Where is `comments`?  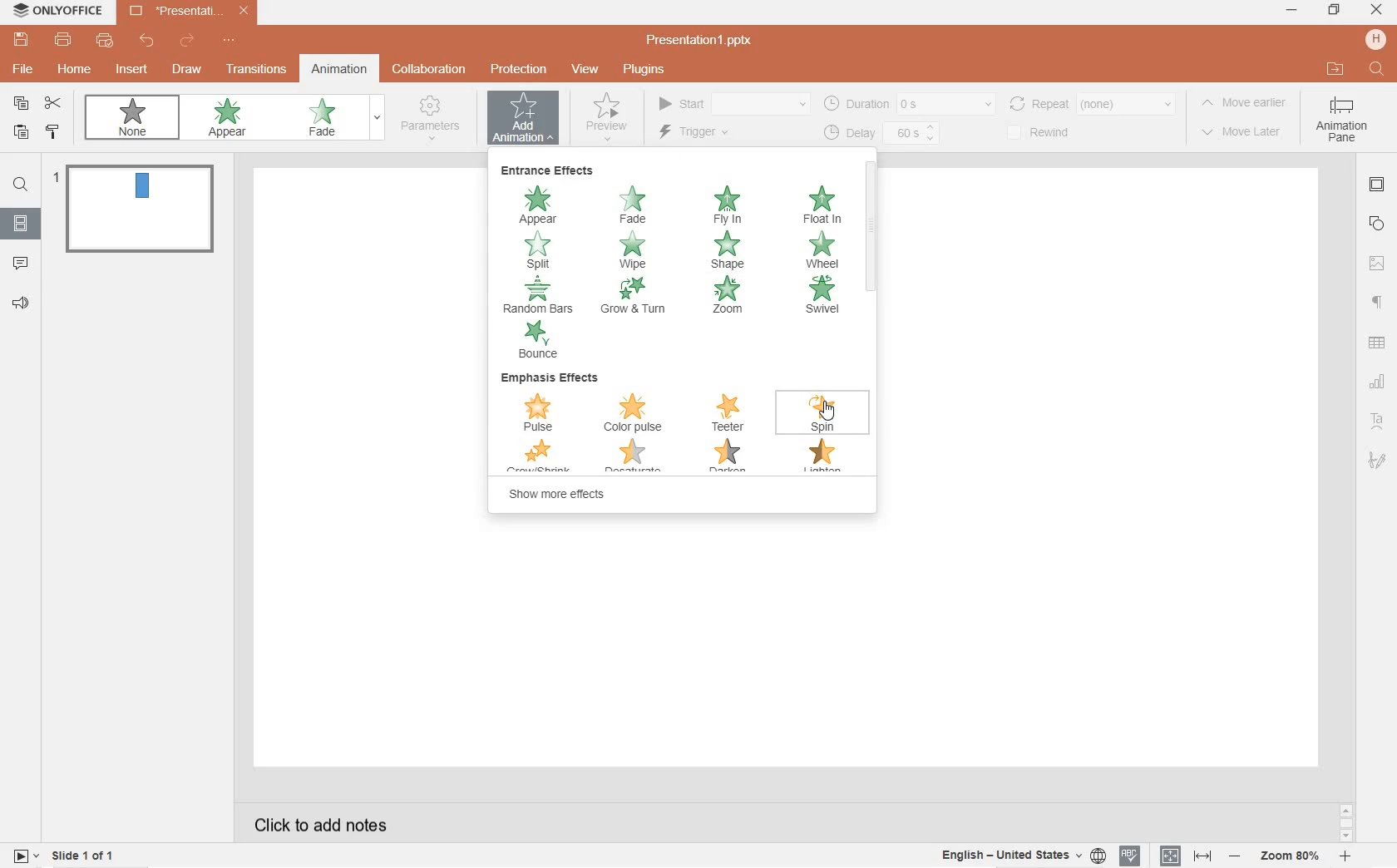 comments is located at coordinates (22, 262).